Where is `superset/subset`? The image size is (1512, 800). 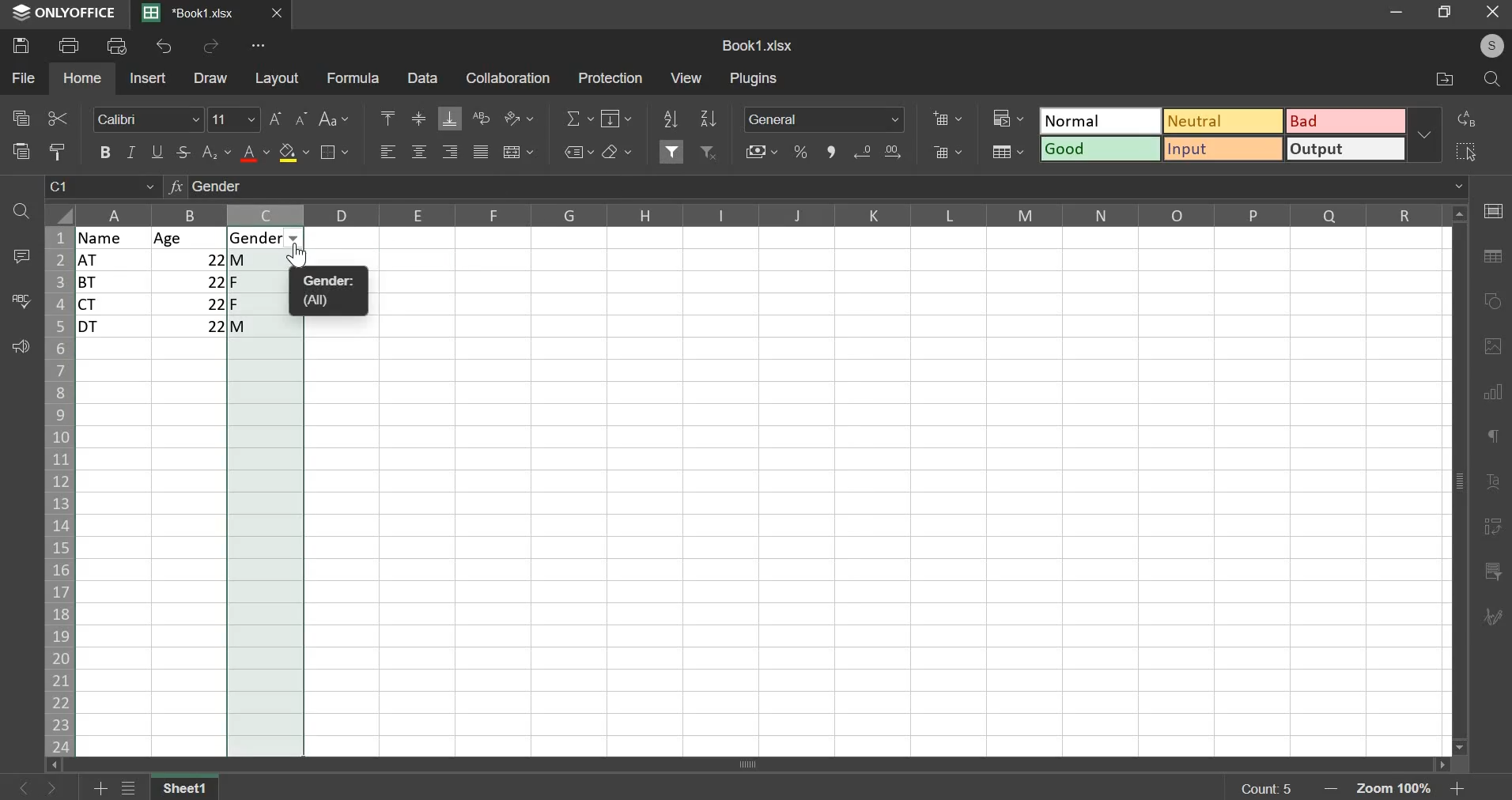
superset/subset is located at coordinates (217, 152).